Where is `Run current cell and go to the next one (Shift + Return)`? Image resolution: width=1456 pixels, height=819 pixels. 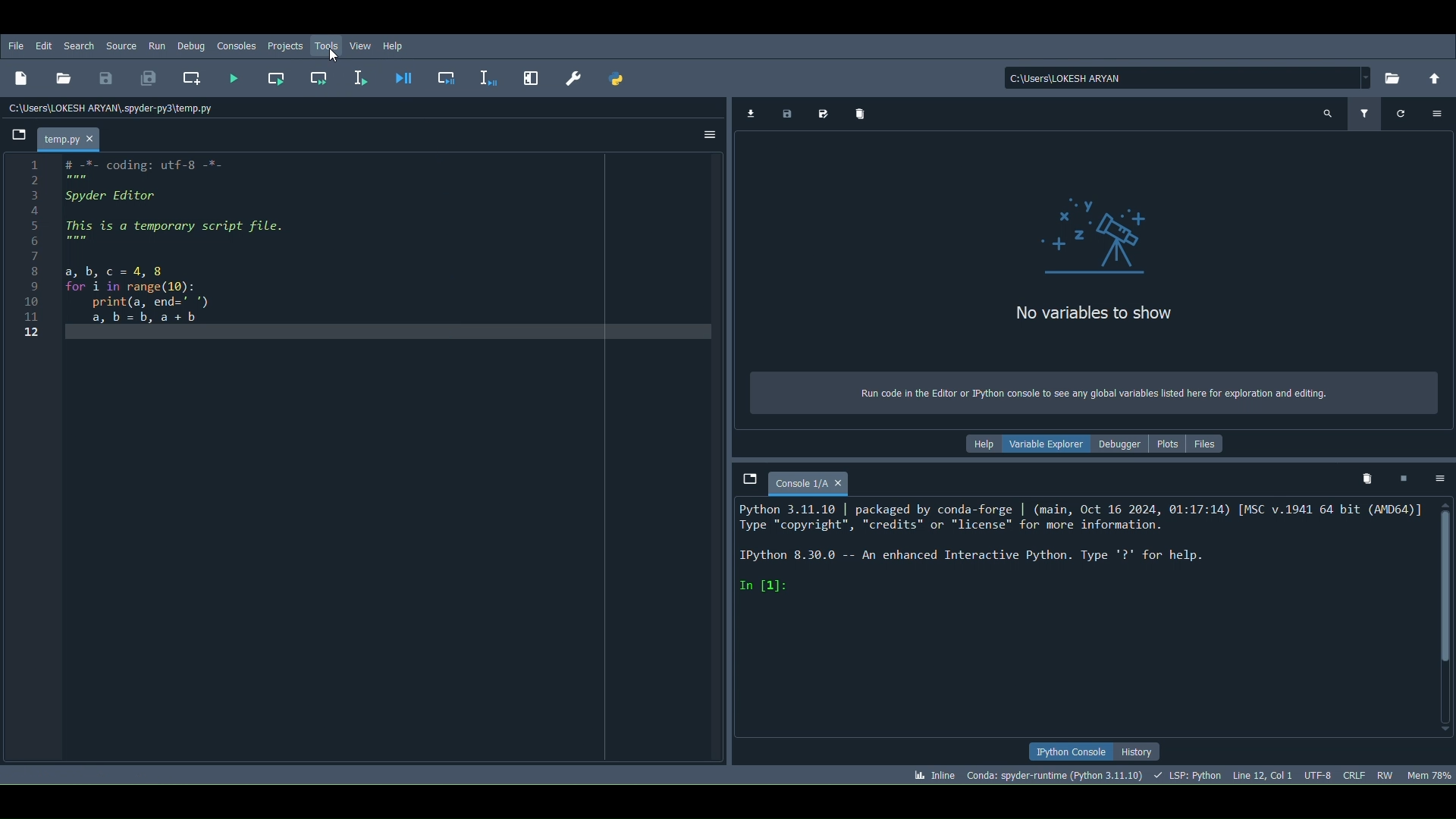 Run current cell and go to the next one (Shift + Return) is located at coordinates (319, 76).